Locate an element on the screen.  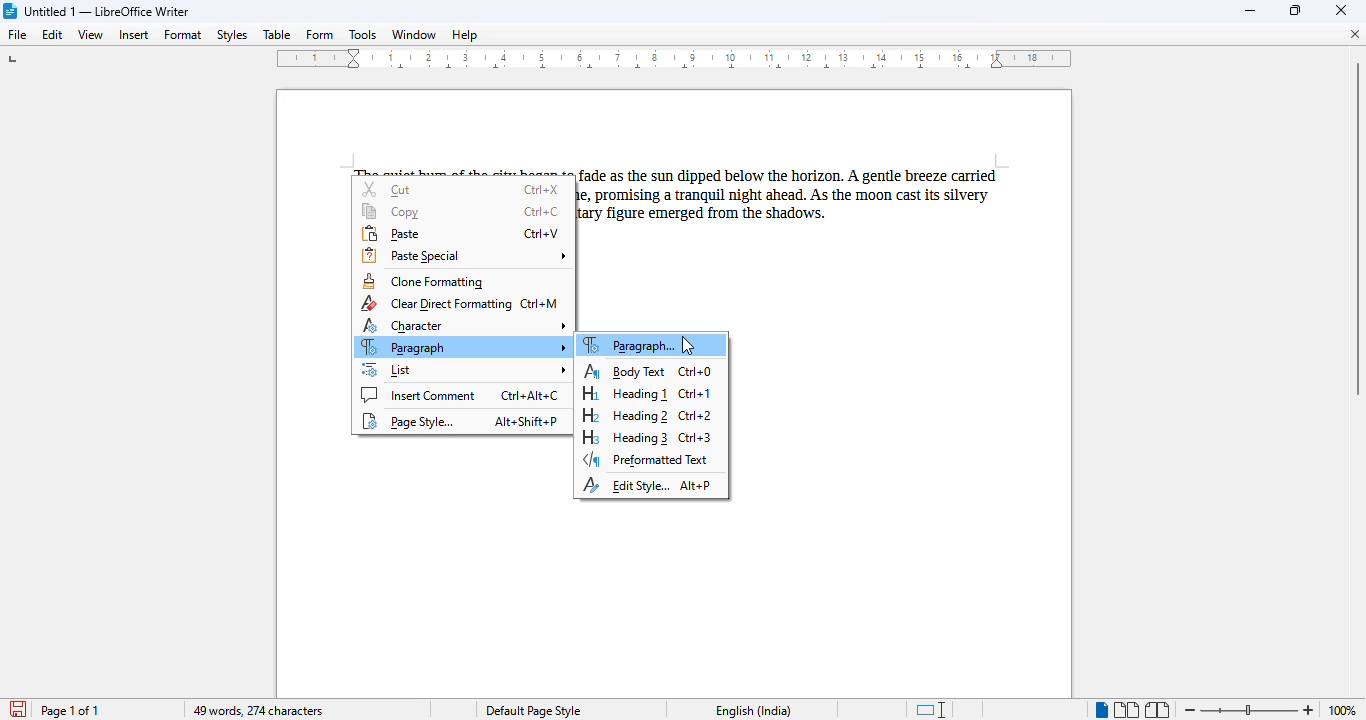
body text is located at coordinates (646, 371).